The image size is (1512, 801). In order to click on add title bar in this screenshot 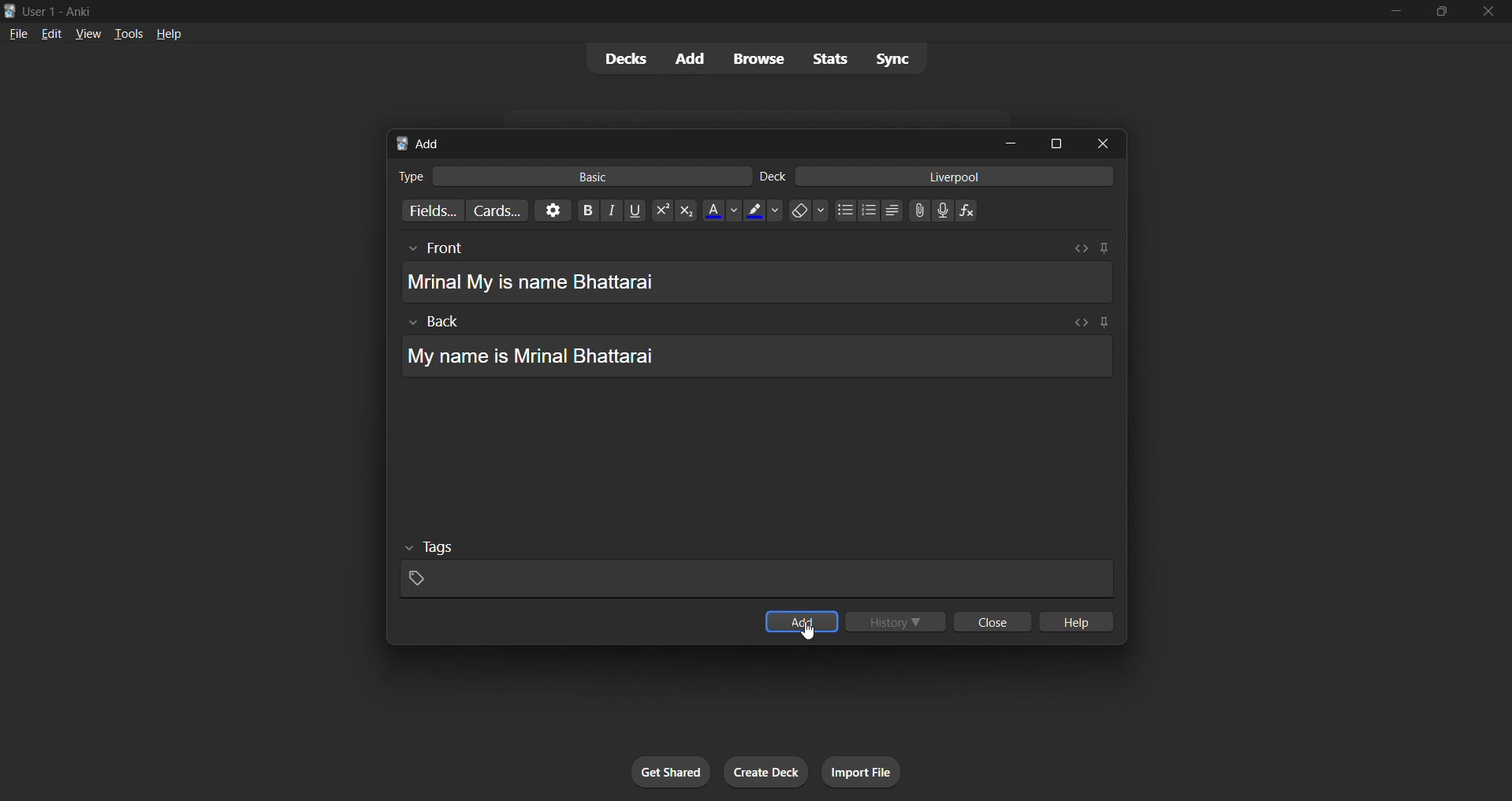, I will do `click(680, 141)`.